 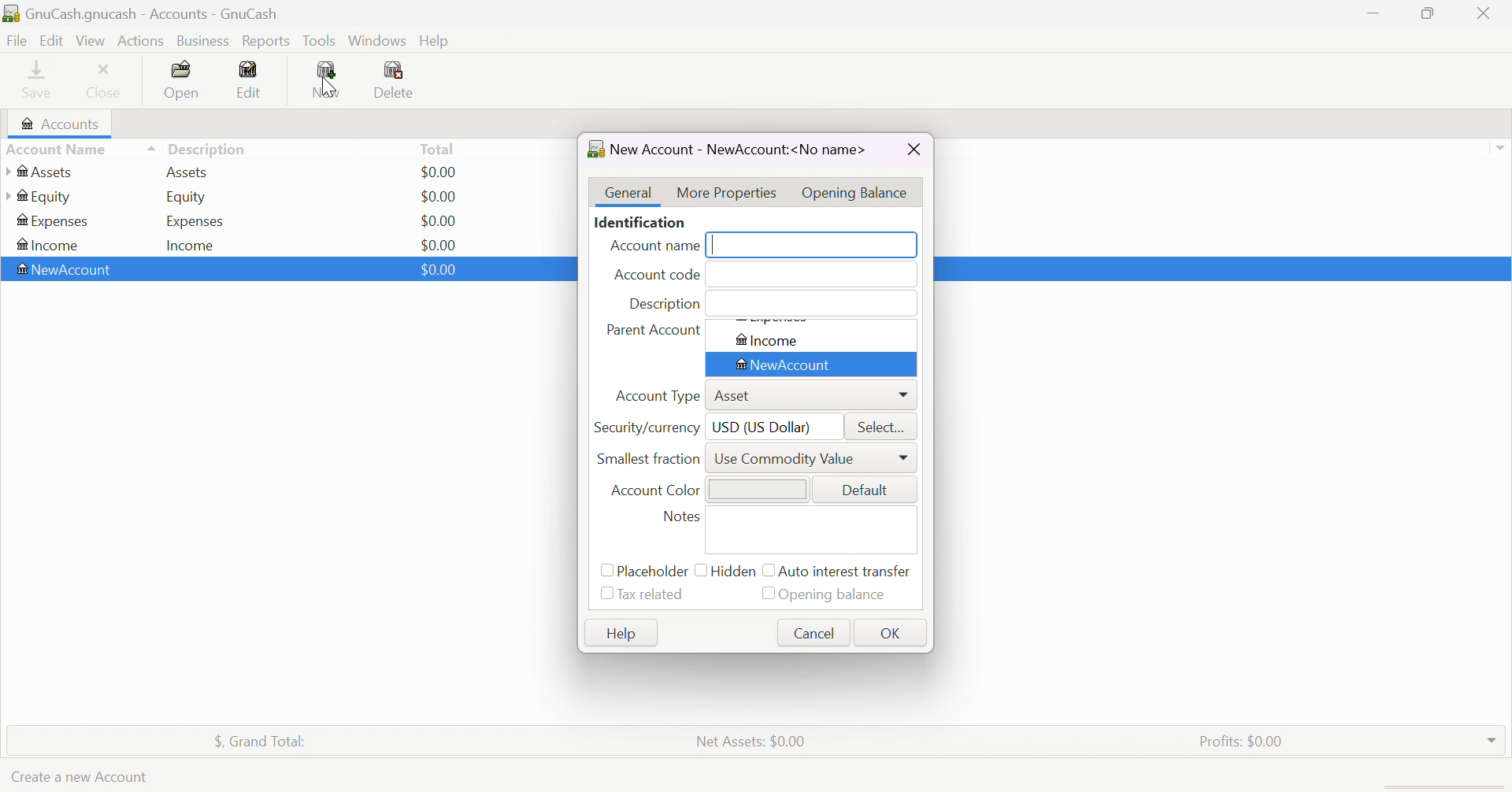 I want to click on Help, so click(x=436, y=42).